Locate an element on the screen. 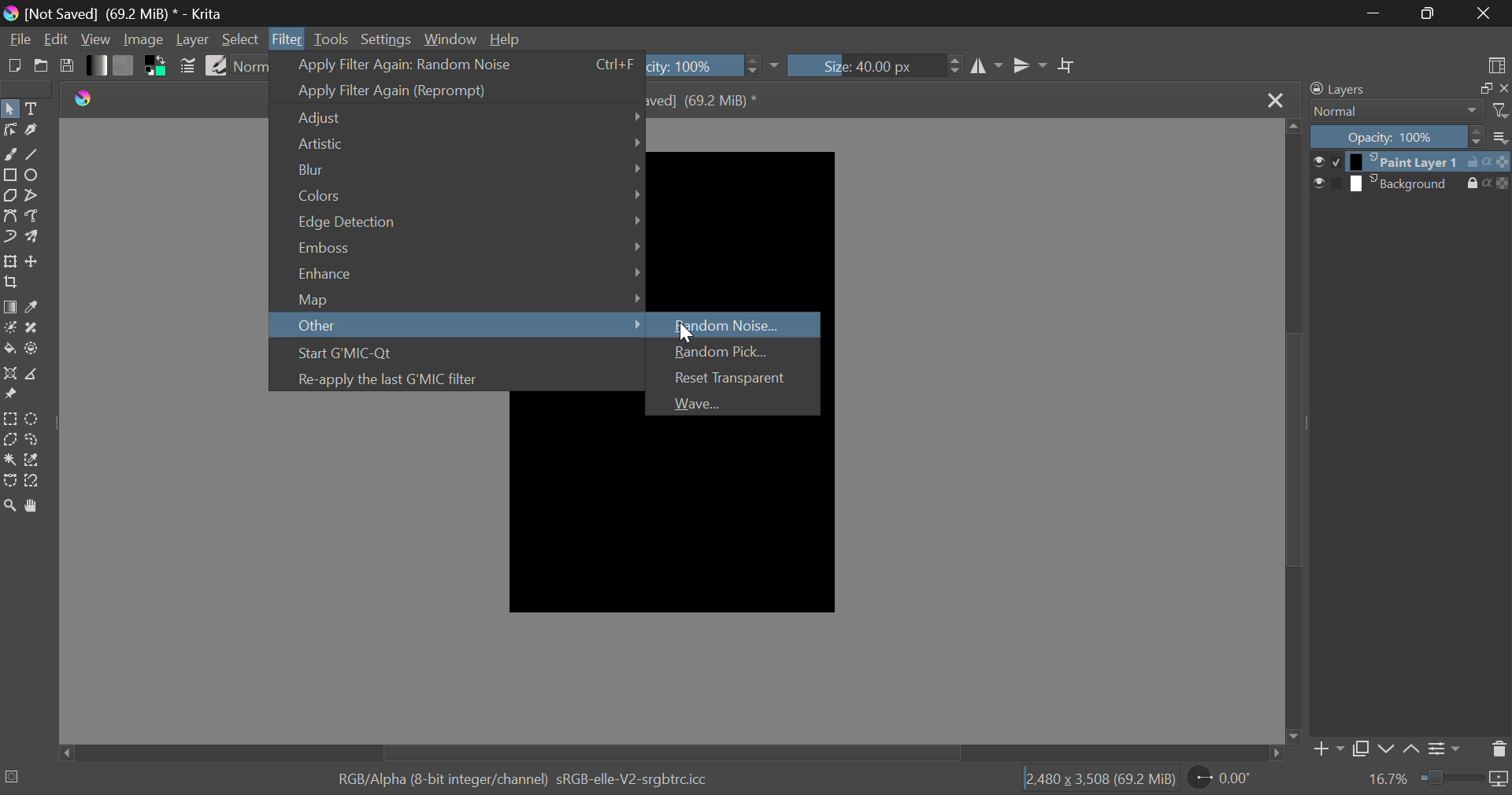 This screenshot has width=1512, height=795. Horizontal Mirror Flip is located at coordinates (1031, 65).